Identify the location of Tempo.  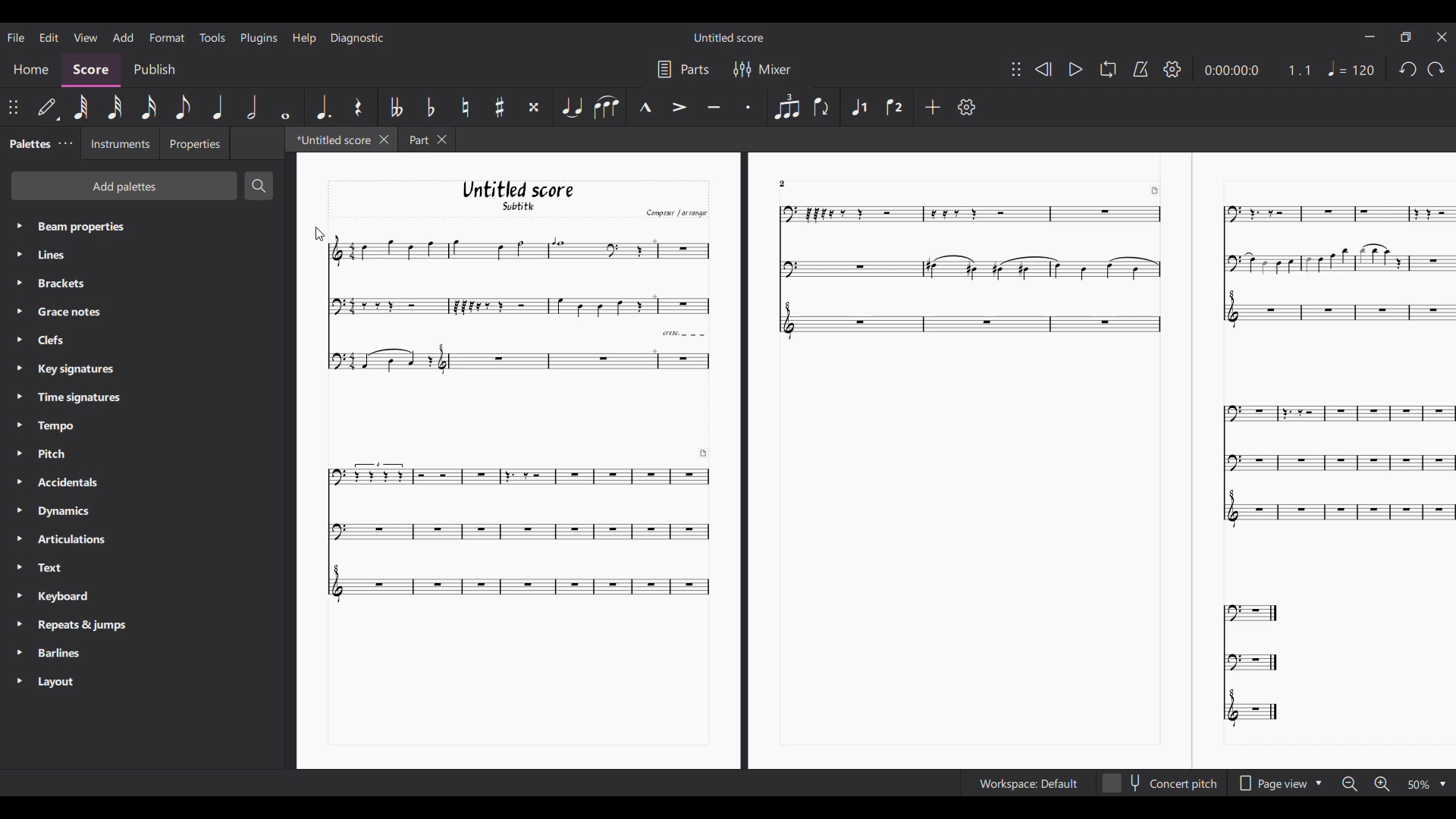
(1354, 68).